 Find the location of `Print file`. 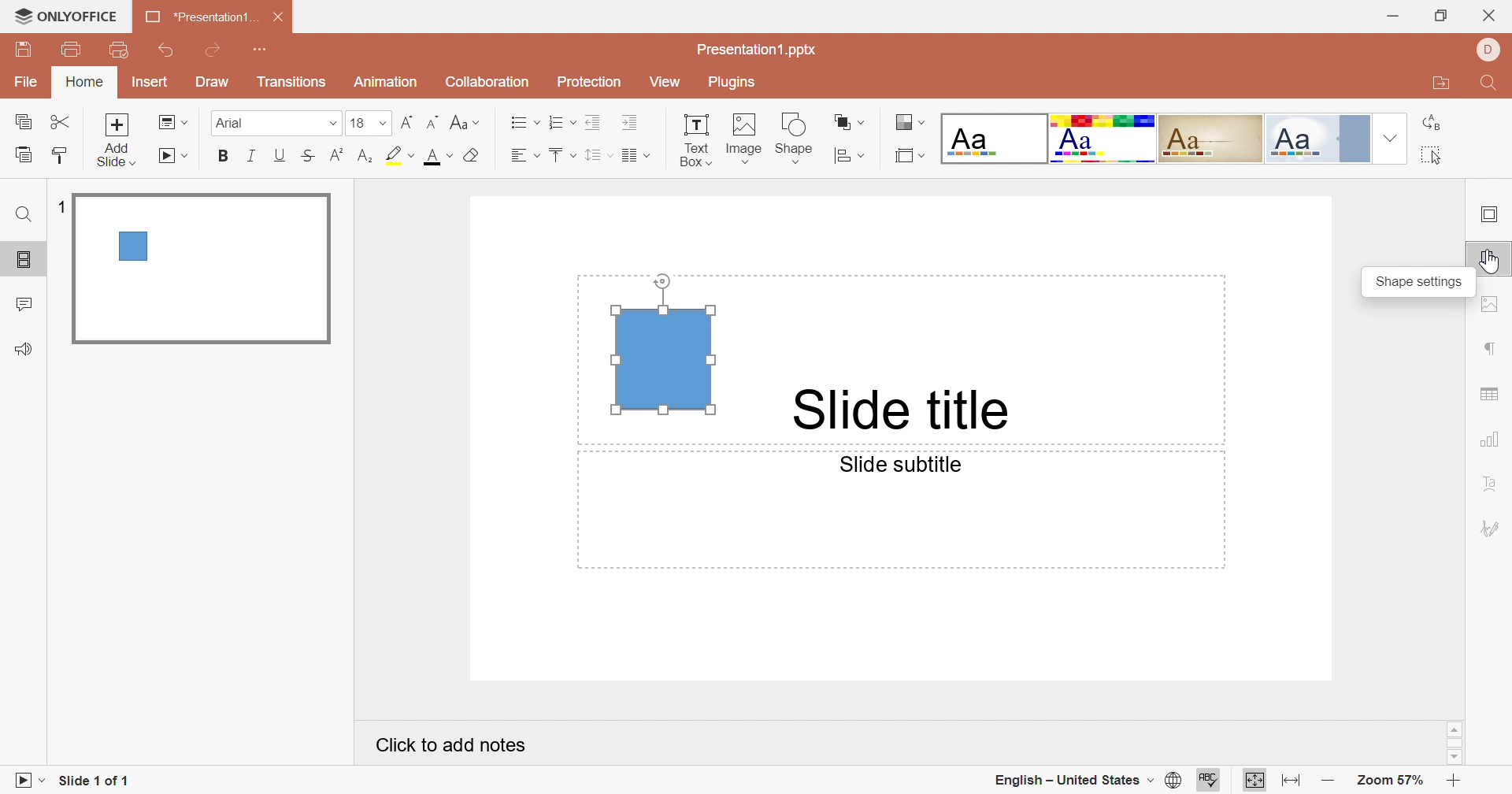

Print file is located at coordinates (69, 52).